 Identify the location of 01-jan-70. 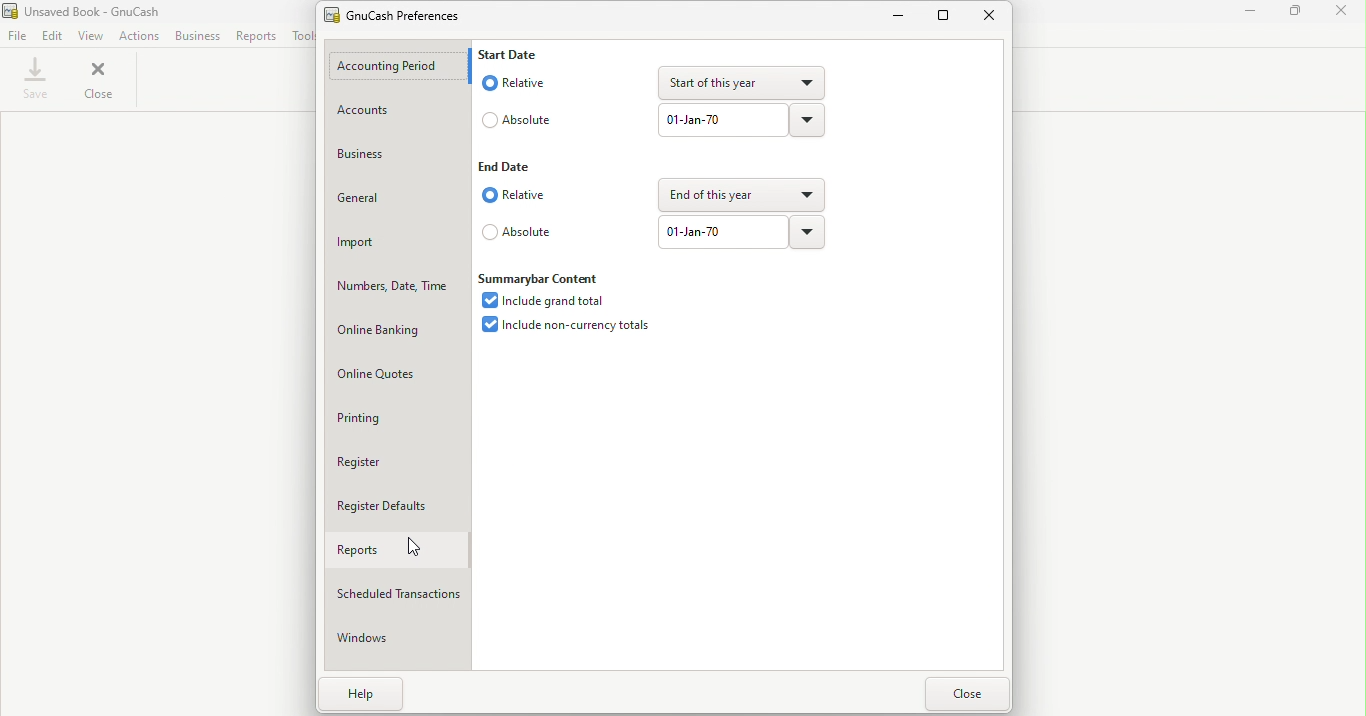
(724, 232).